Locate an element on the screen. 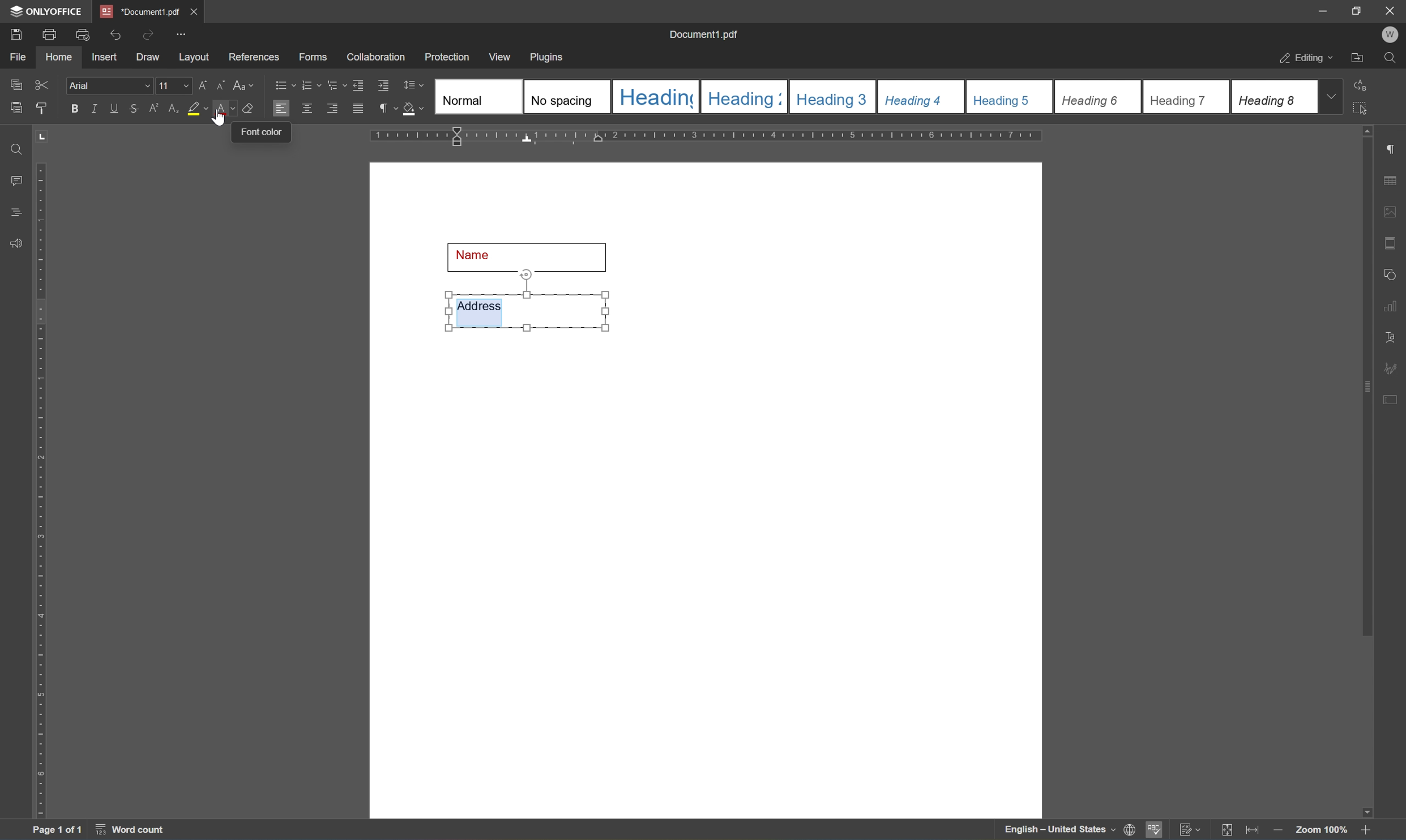  editing is located at coordinates (1302, 59).